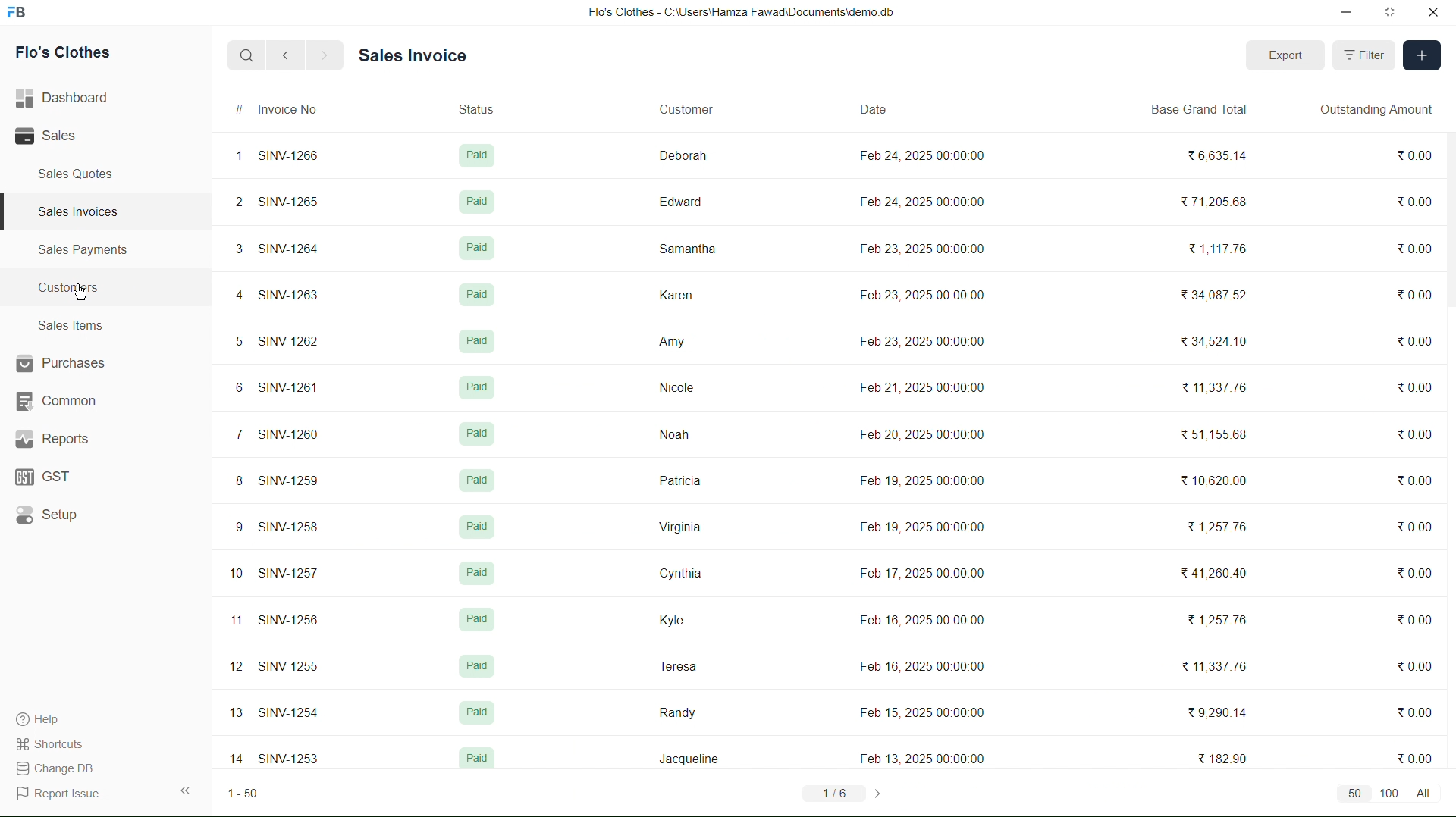 The width and height of the screenshot is (1456, 817). I want to click on SINV-1264, so click(289, 249).